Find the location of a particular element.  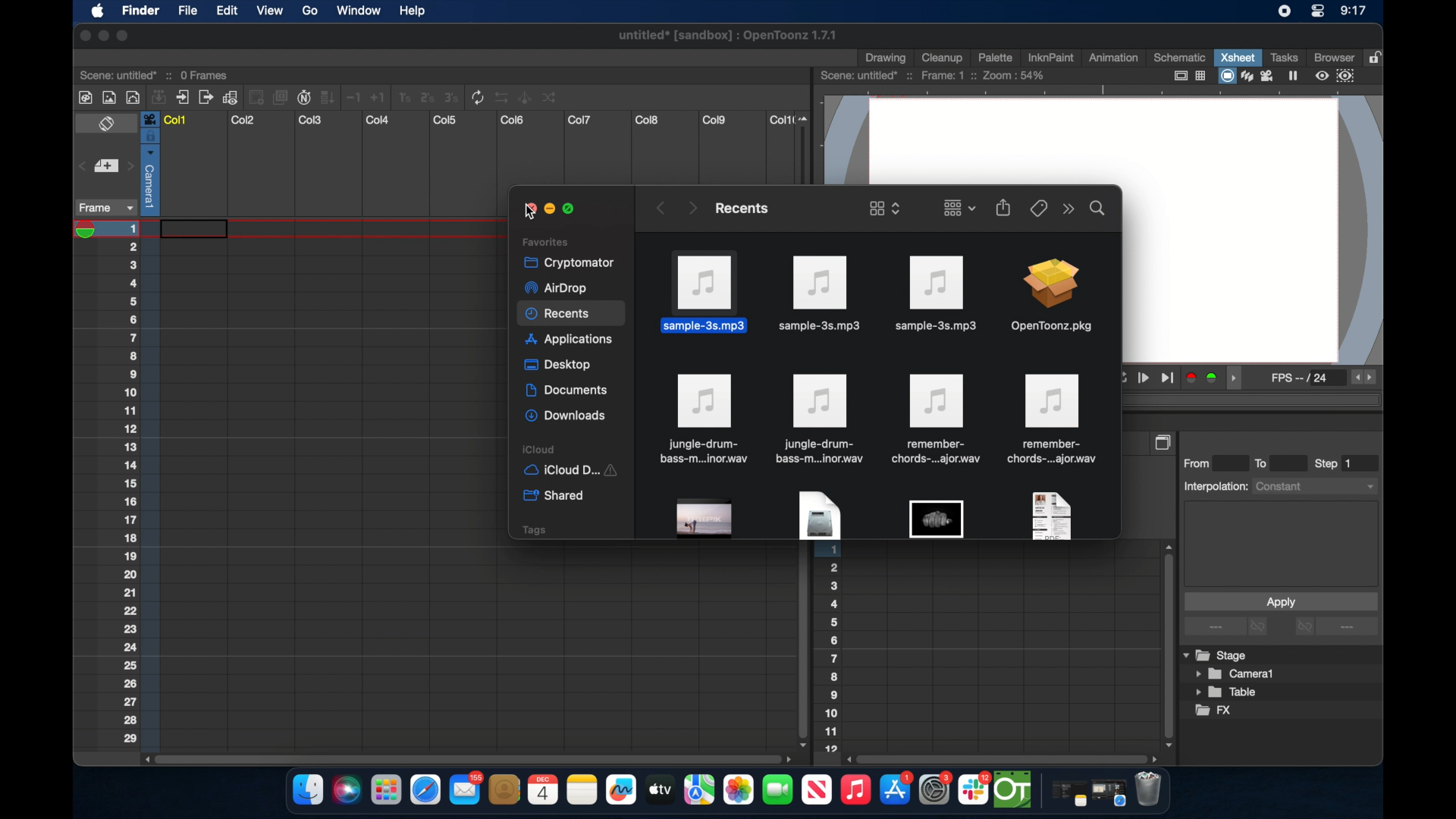

previous is located at coordinates (659, 208).